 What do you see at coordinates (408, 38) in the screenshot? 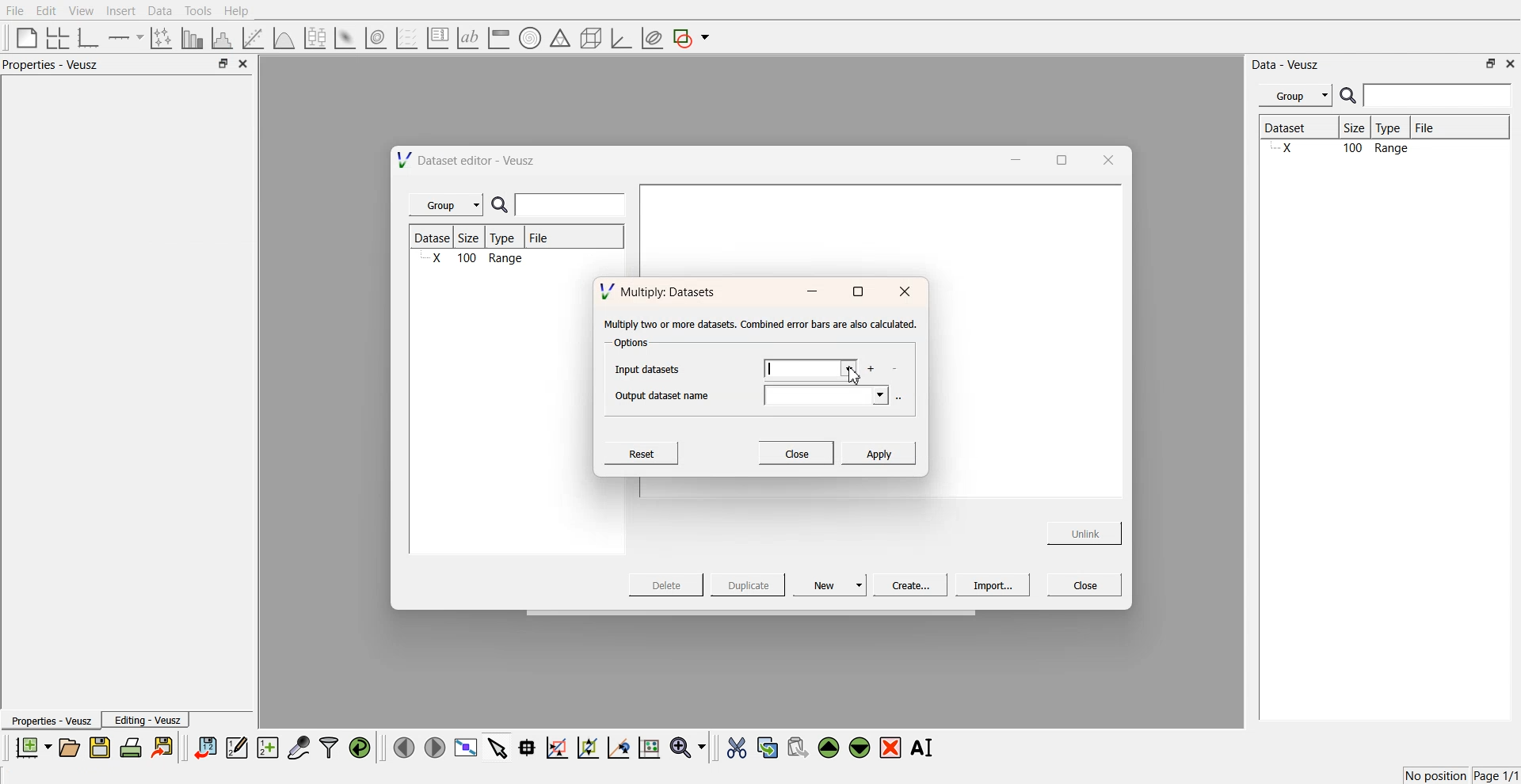
I see `plot a vector set` at bounding box center [408, 38].